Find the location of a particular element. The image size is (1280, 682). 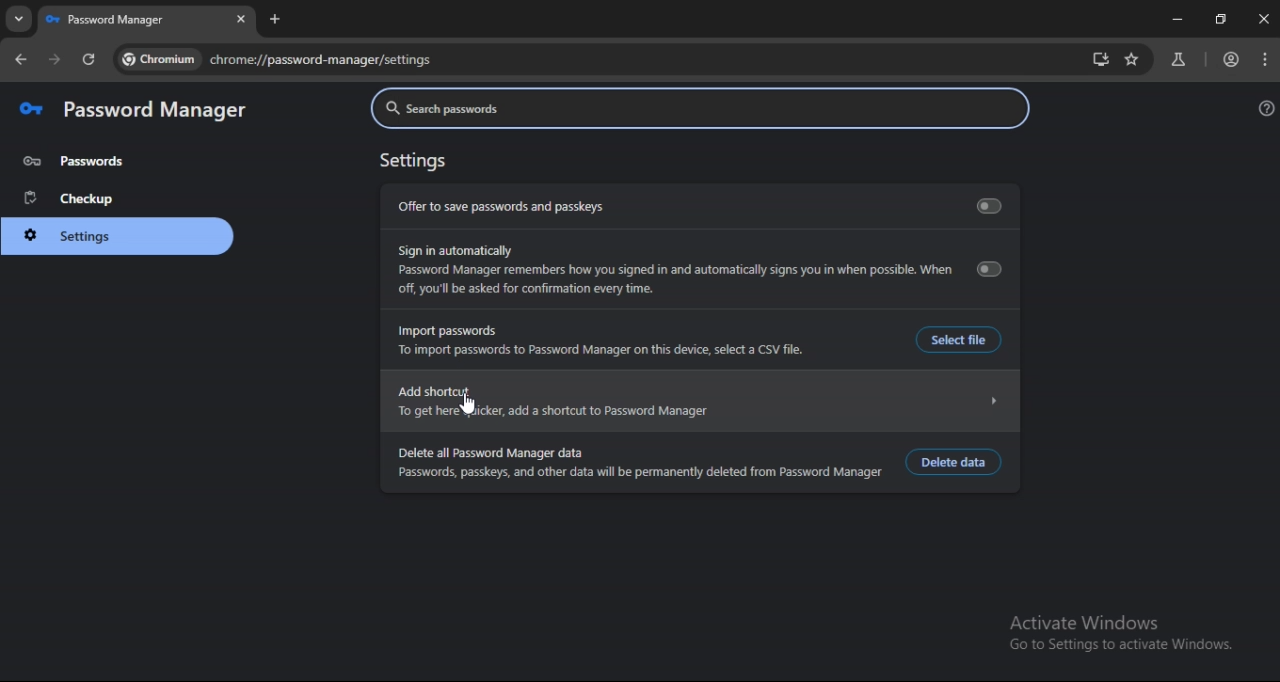

reload page is located at coordinates (90, 63).